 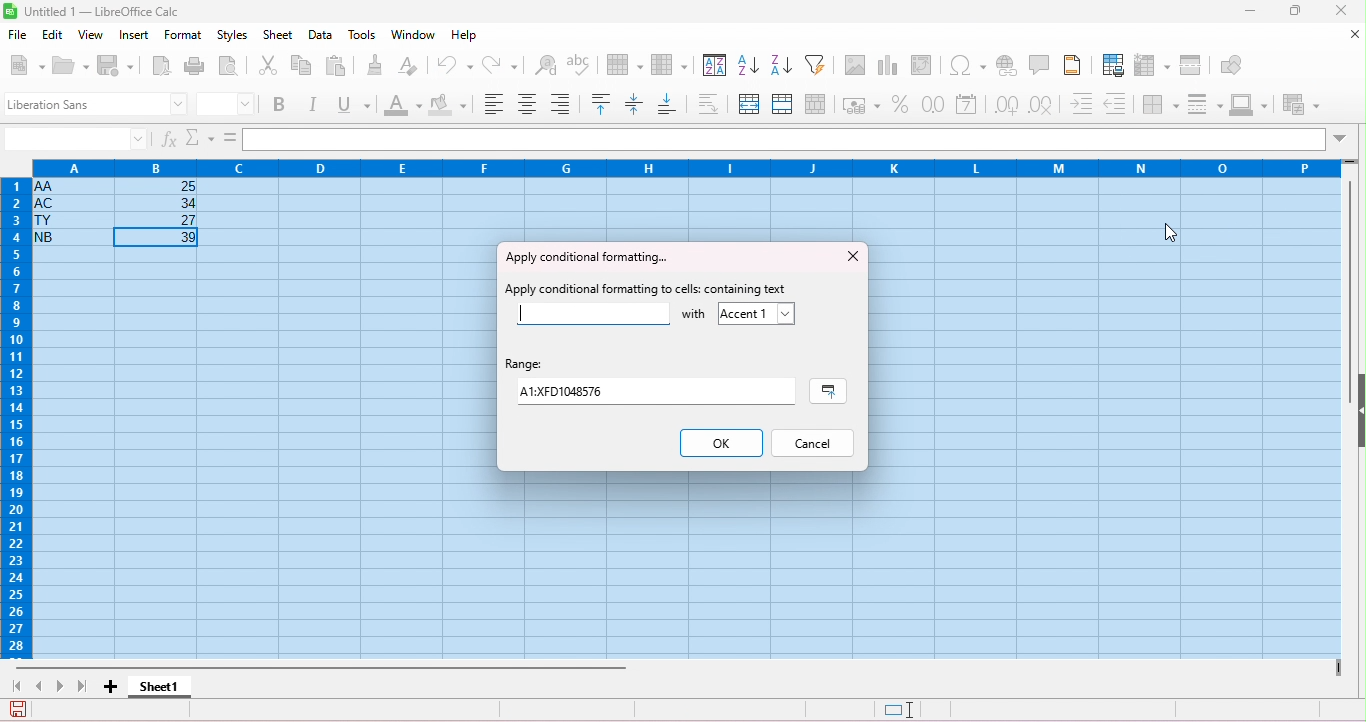 What do you see at coordinates (270, 64) in the screenshot?
I see `cut` at bounding box center [270, 64].